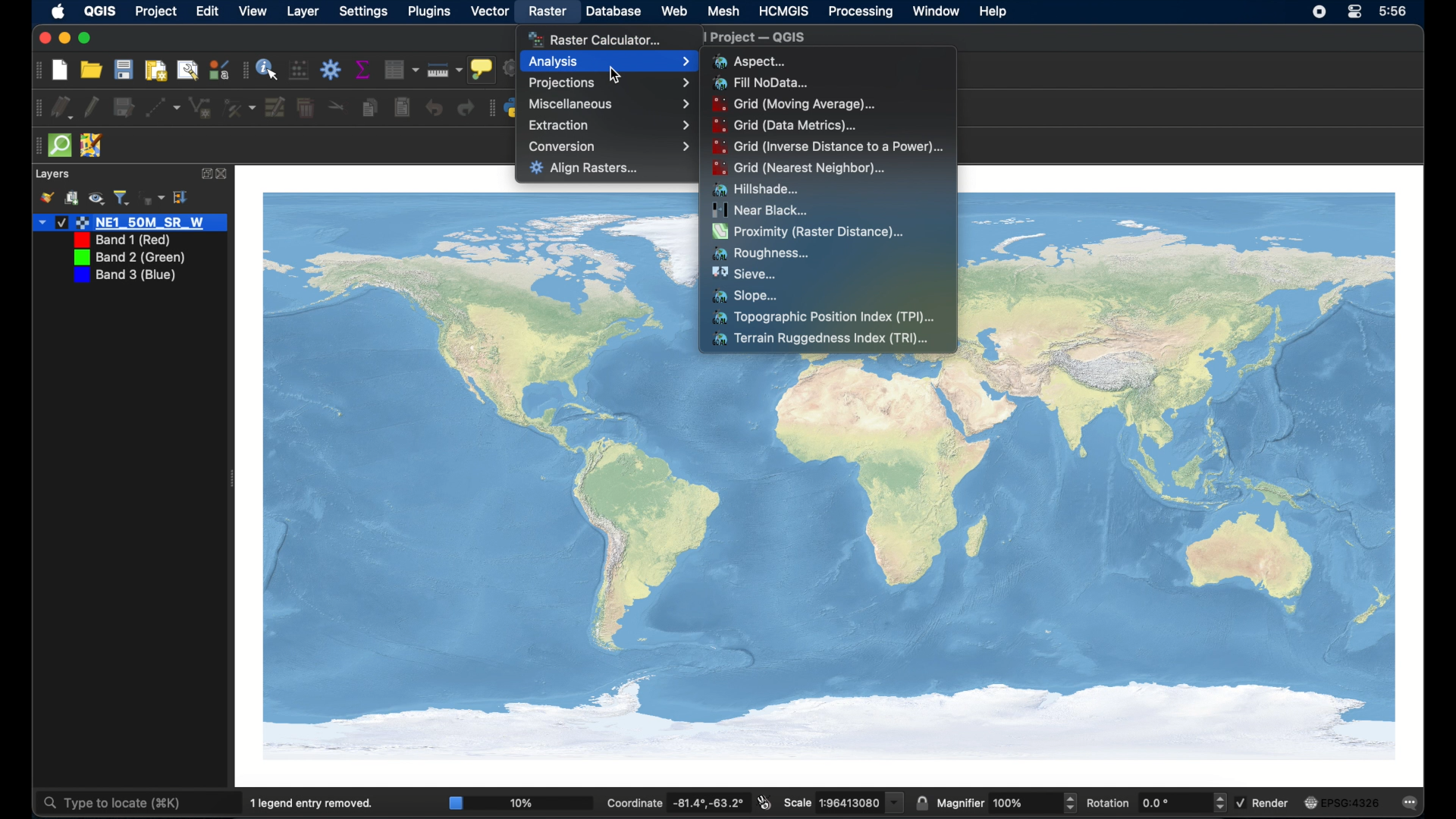  What do you see at coordinates (1393, 11) in the screenshot?
I see `time` at bounding box center [1393, 11].